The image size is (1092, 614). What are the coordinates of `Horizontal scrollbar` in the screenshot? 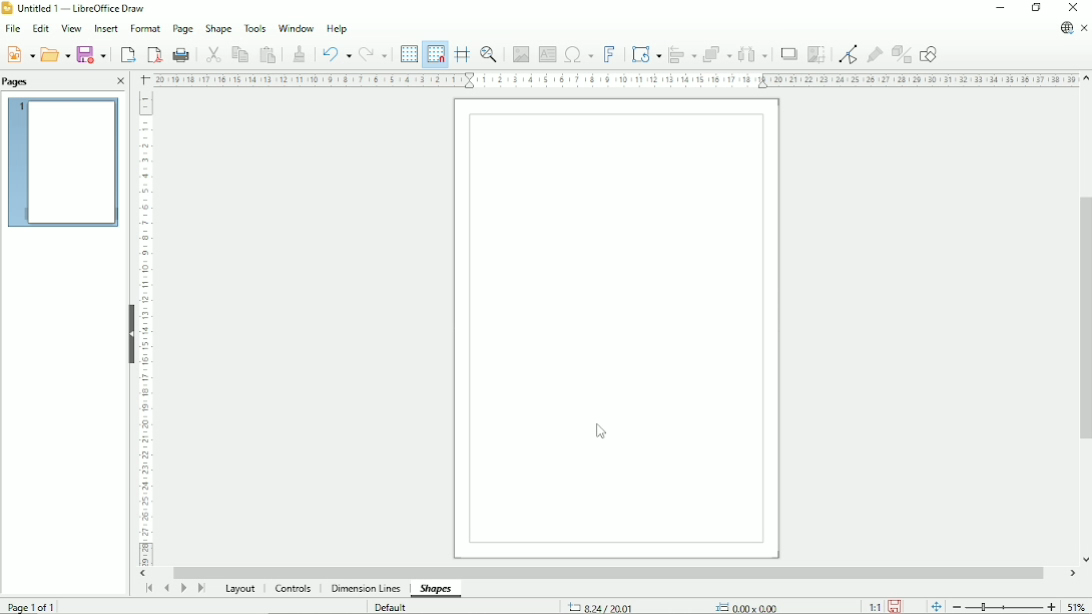 It's located at (613, 571).